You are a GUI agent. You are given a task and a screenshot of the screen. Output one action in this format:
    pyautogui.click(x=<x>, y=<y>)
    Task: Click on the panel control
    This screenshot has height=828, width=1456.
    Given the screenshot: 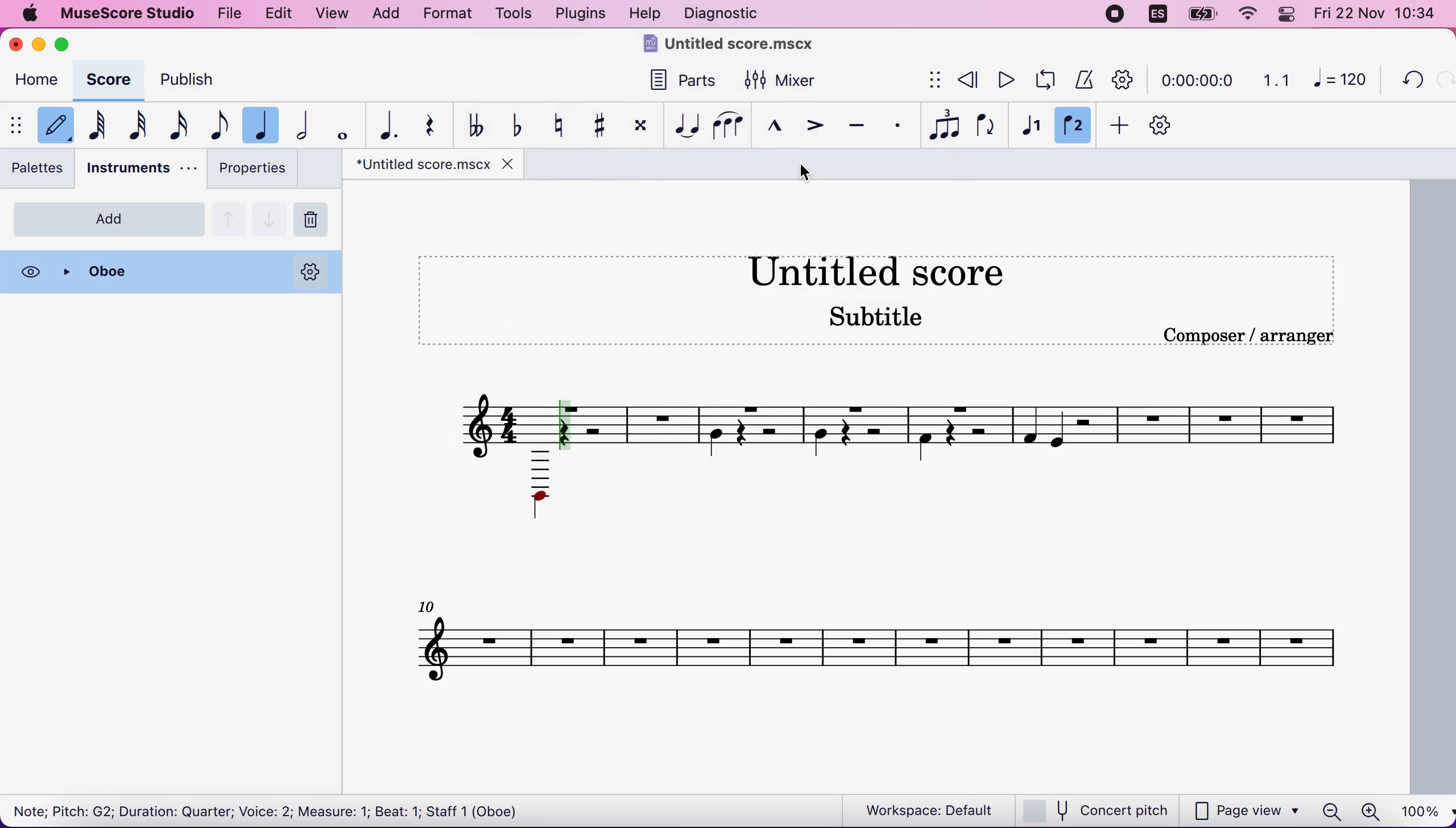 What is the action you would take?
    pyautogui.click(x=1285, y=14)
    